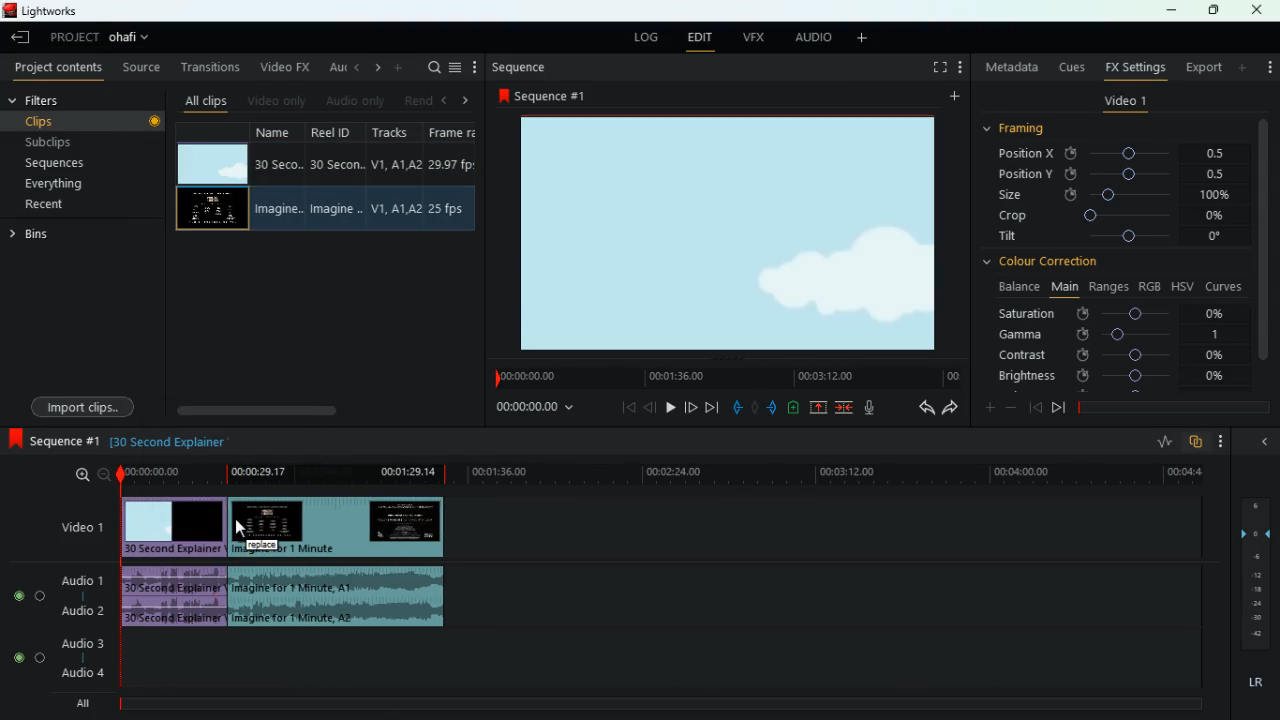 Image resolution: width=1280 pixels, height=720 pixels. I want to click on join, so click(843, 408).